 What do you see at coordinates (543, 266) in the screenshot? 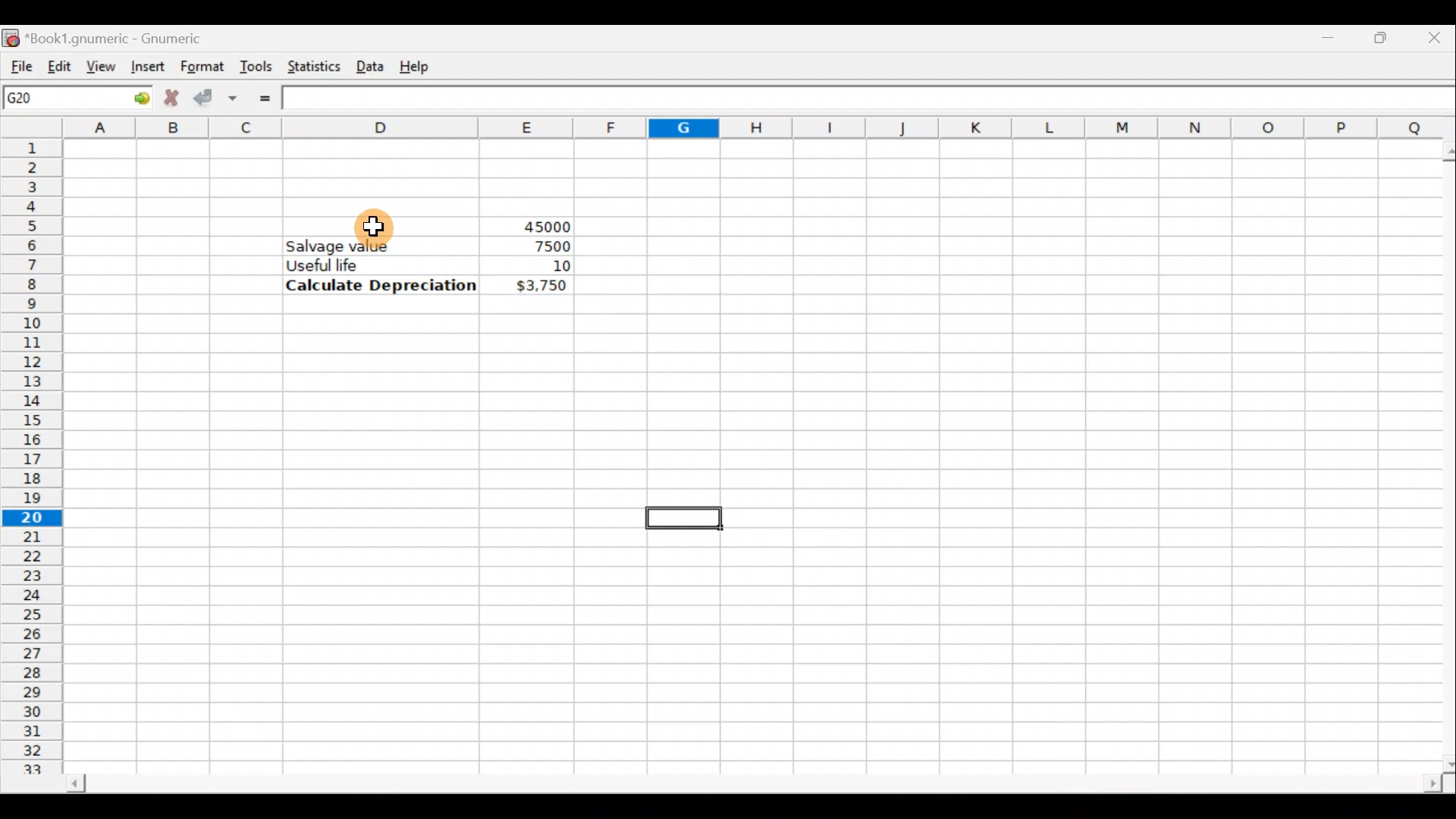
I see `10` at bounding box center [543, 266].